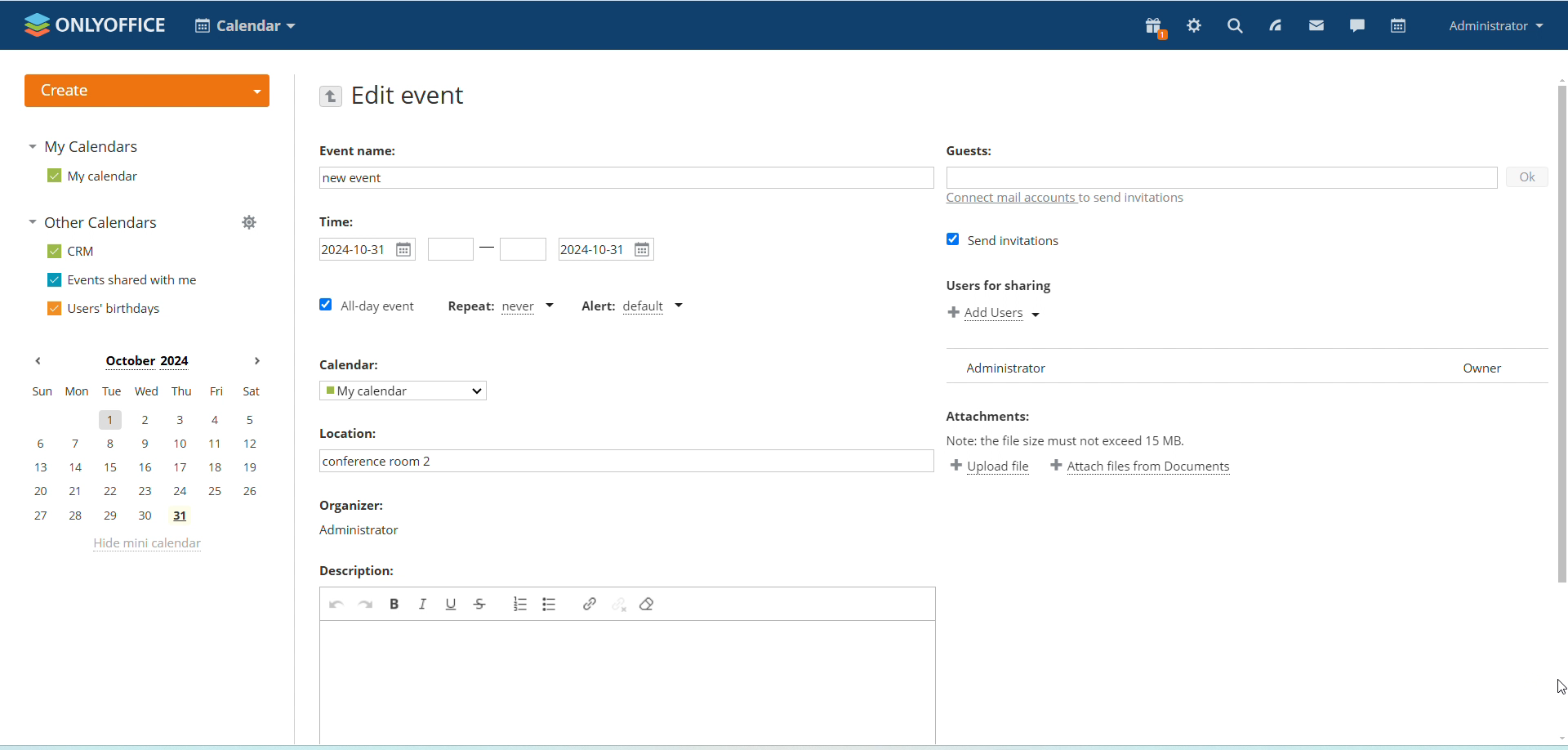 The image size is (1568, 750). I want to click on Scroll down, so click(1558, 739).